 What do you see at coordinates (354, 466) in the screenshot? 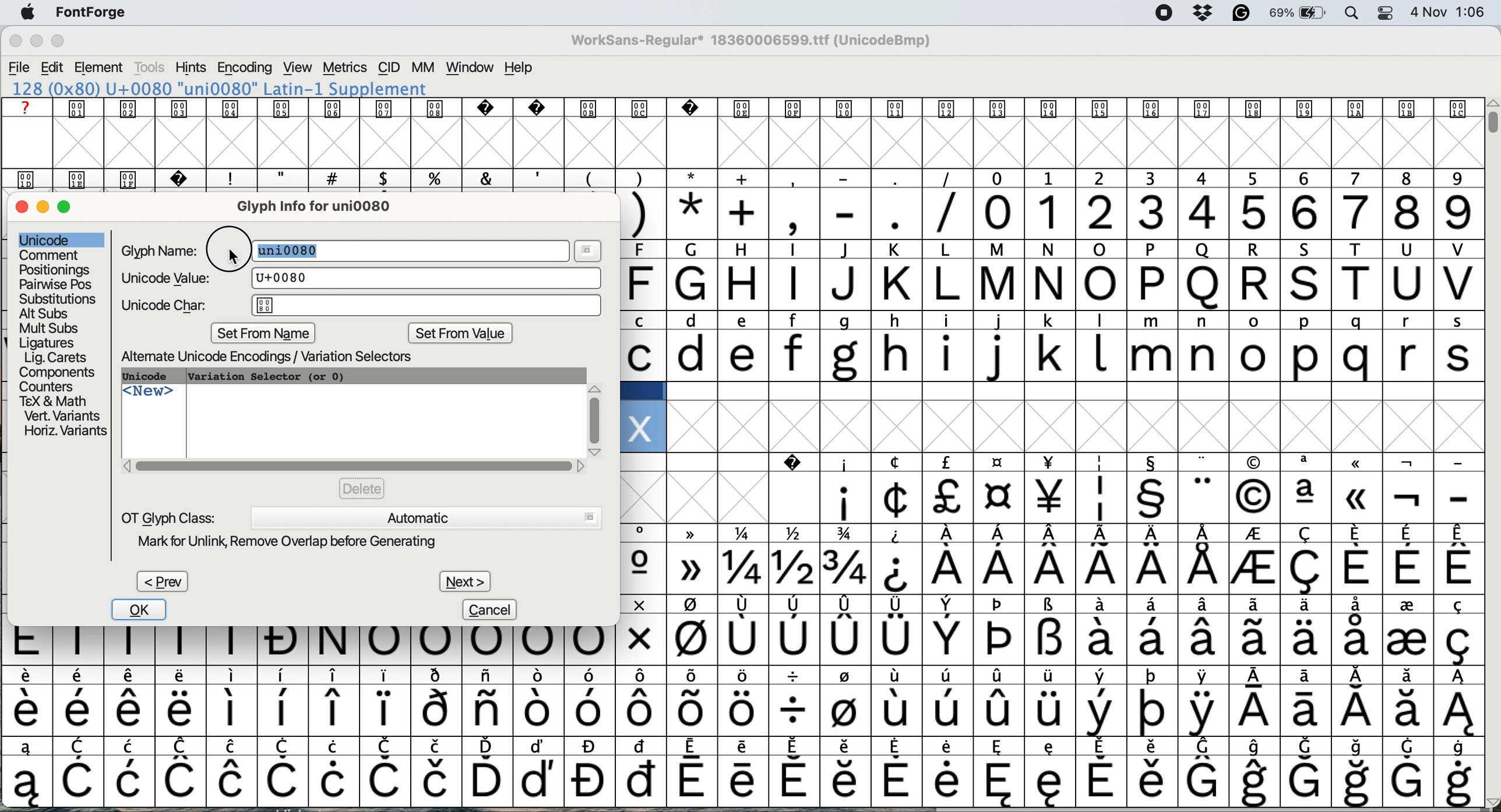
I see `horizontal scroll bar` at bounding box center [354, 466].